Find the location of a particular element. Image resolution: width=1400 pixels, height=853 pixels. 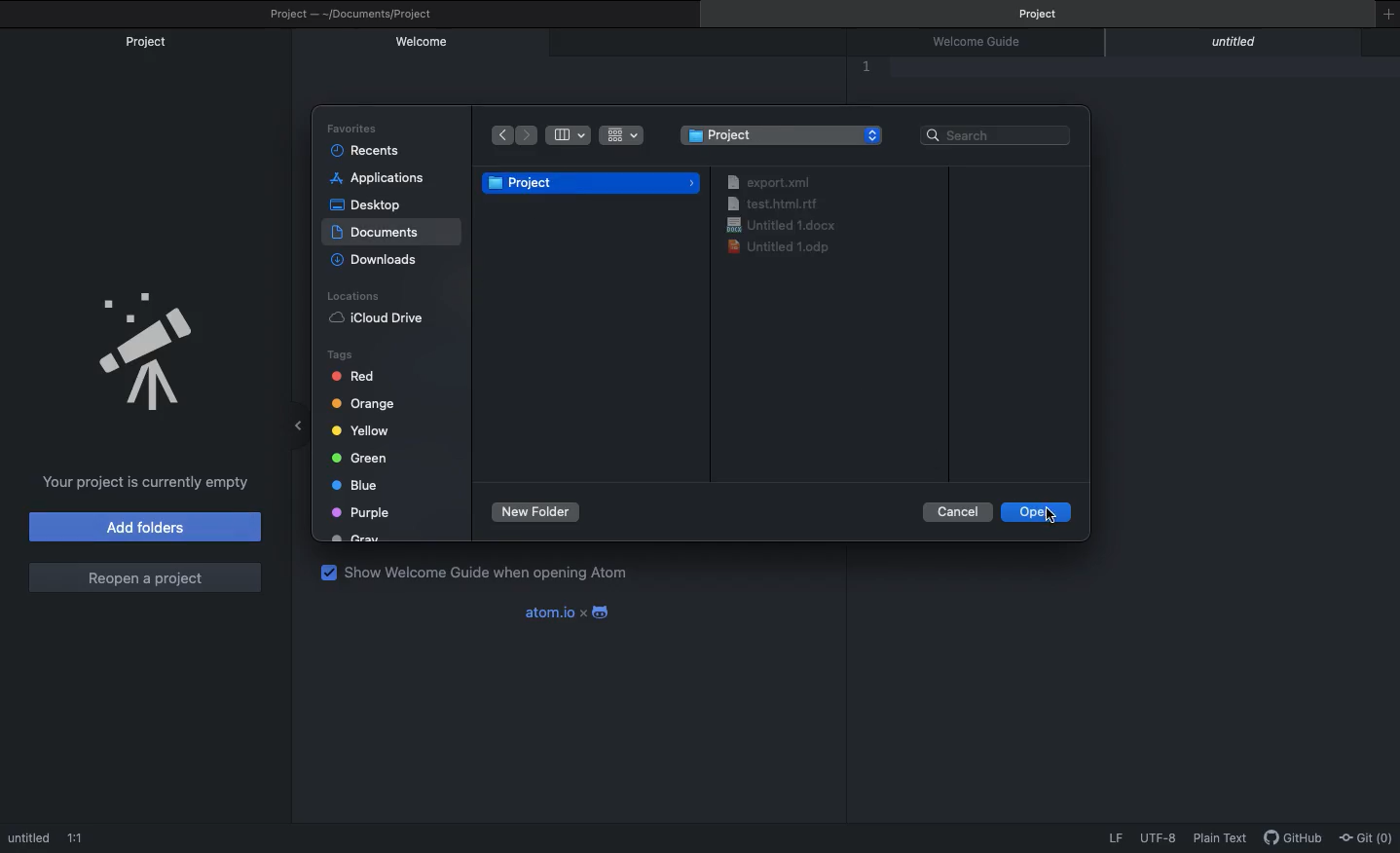

GitHub is located at coordinates (1294, 840).